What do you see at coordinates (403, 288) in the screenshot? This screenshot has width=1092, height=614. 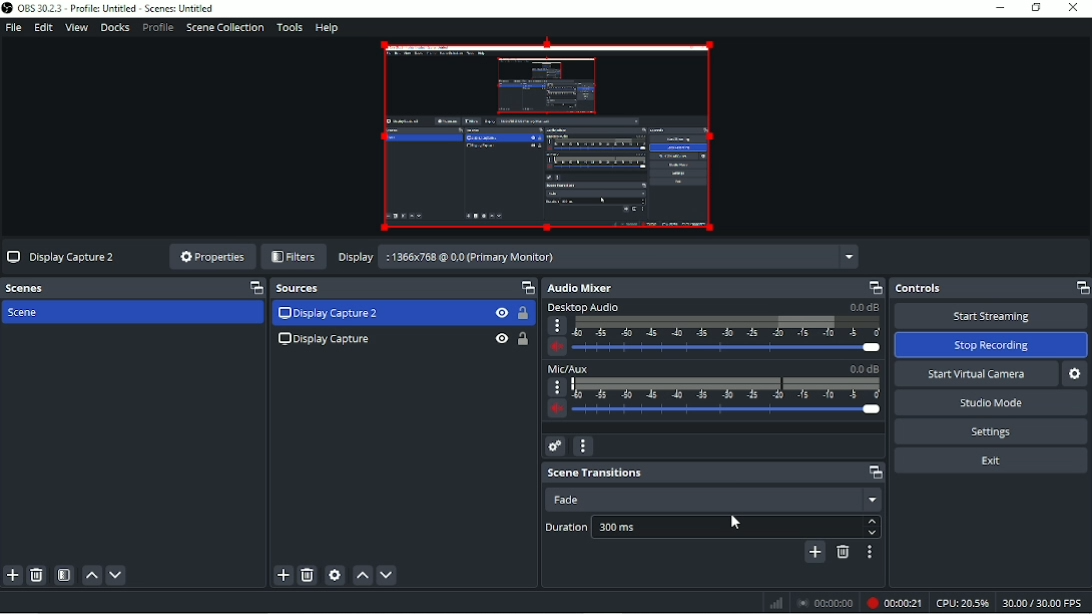 I see `Sources` at bounding box center [403, 288].